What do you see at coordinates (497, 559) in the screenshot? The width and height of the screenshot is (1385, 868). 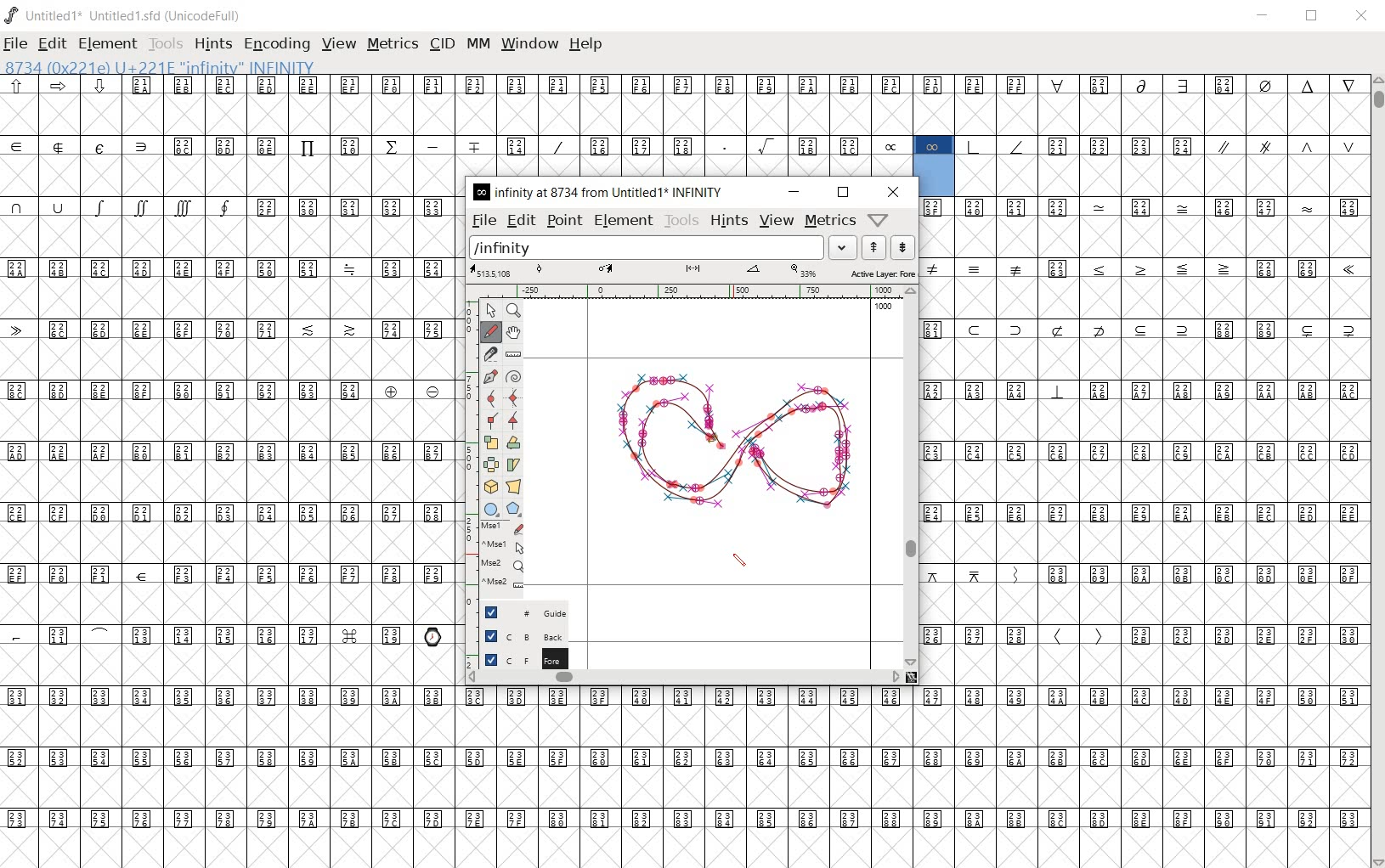 I see `mse1 mse1 mse2 mse2` at bounding box center [497, 559].